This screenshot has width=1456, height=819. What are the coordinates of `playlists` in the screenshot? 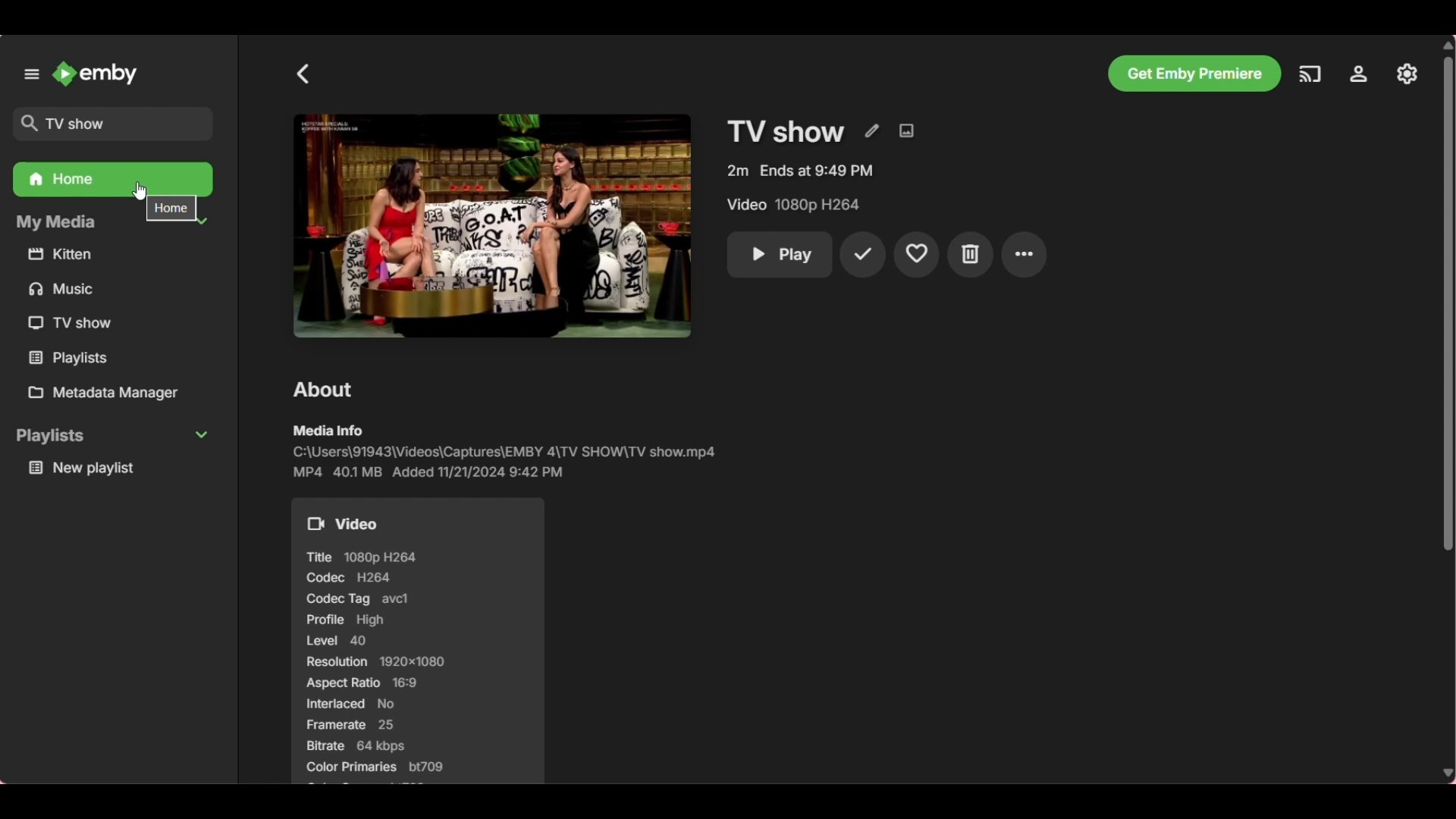 It's located at (80, 357).